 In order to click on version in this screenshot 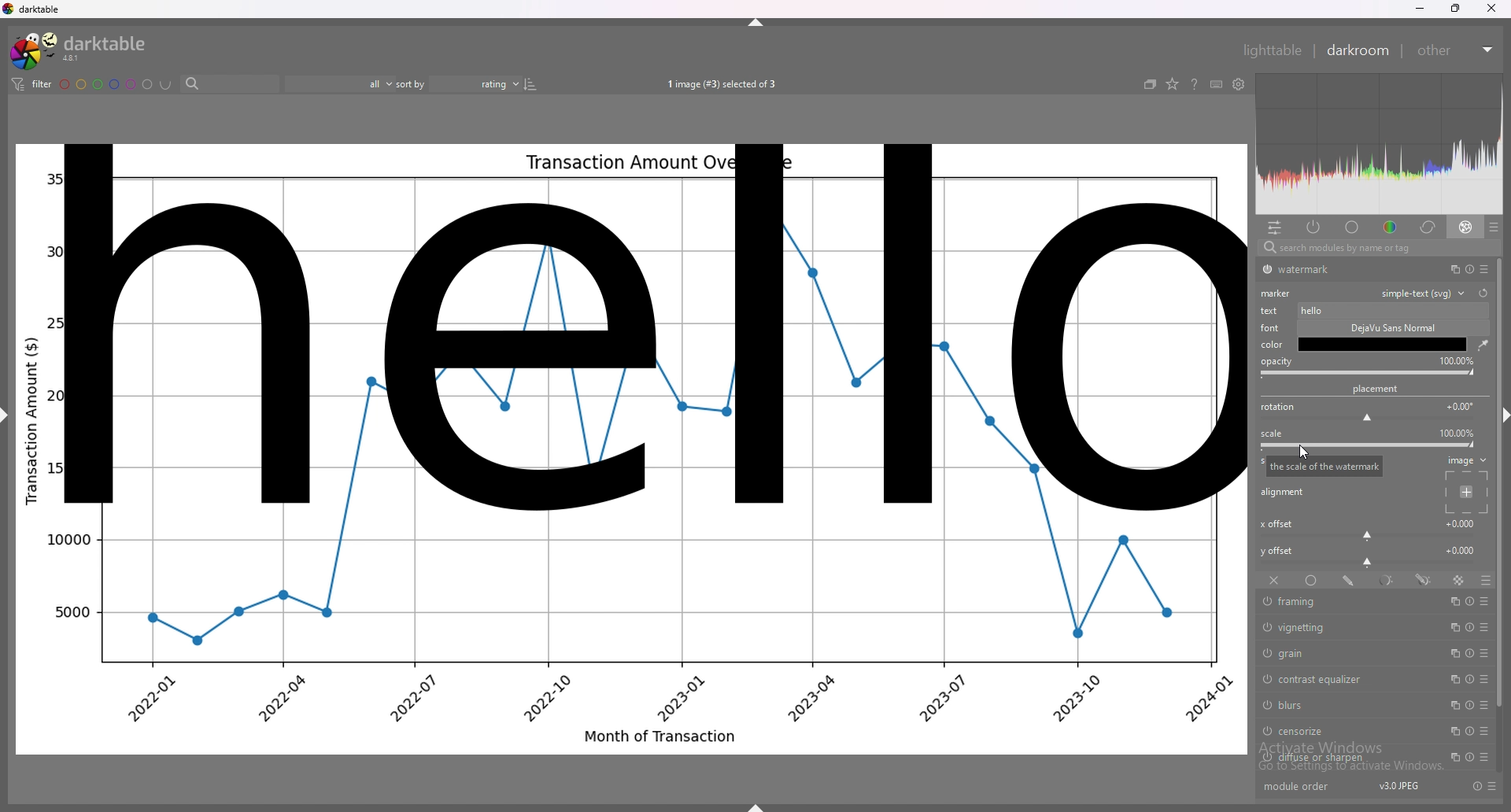, I will do `click(1397, 787)`.